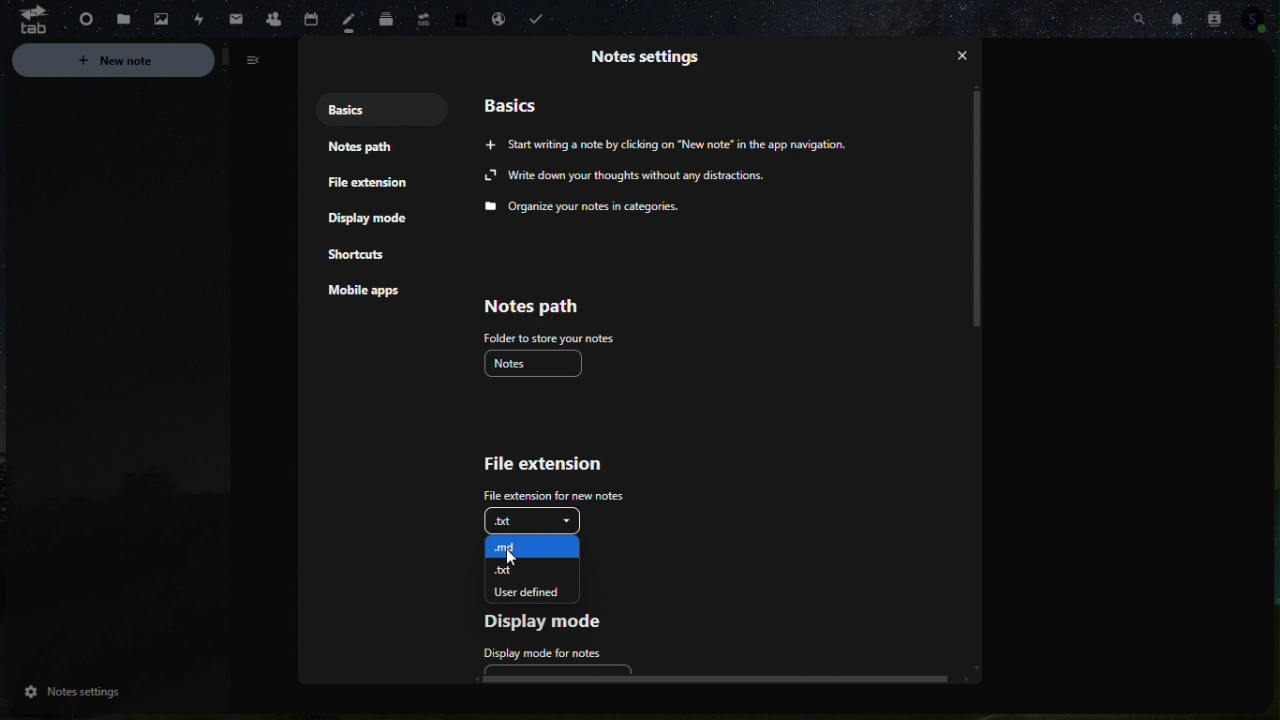 The height and width of the screenshot is (720, 1280). Describe the element at coordinates (229, 19) in the screenshot. I see `mail` at that location.